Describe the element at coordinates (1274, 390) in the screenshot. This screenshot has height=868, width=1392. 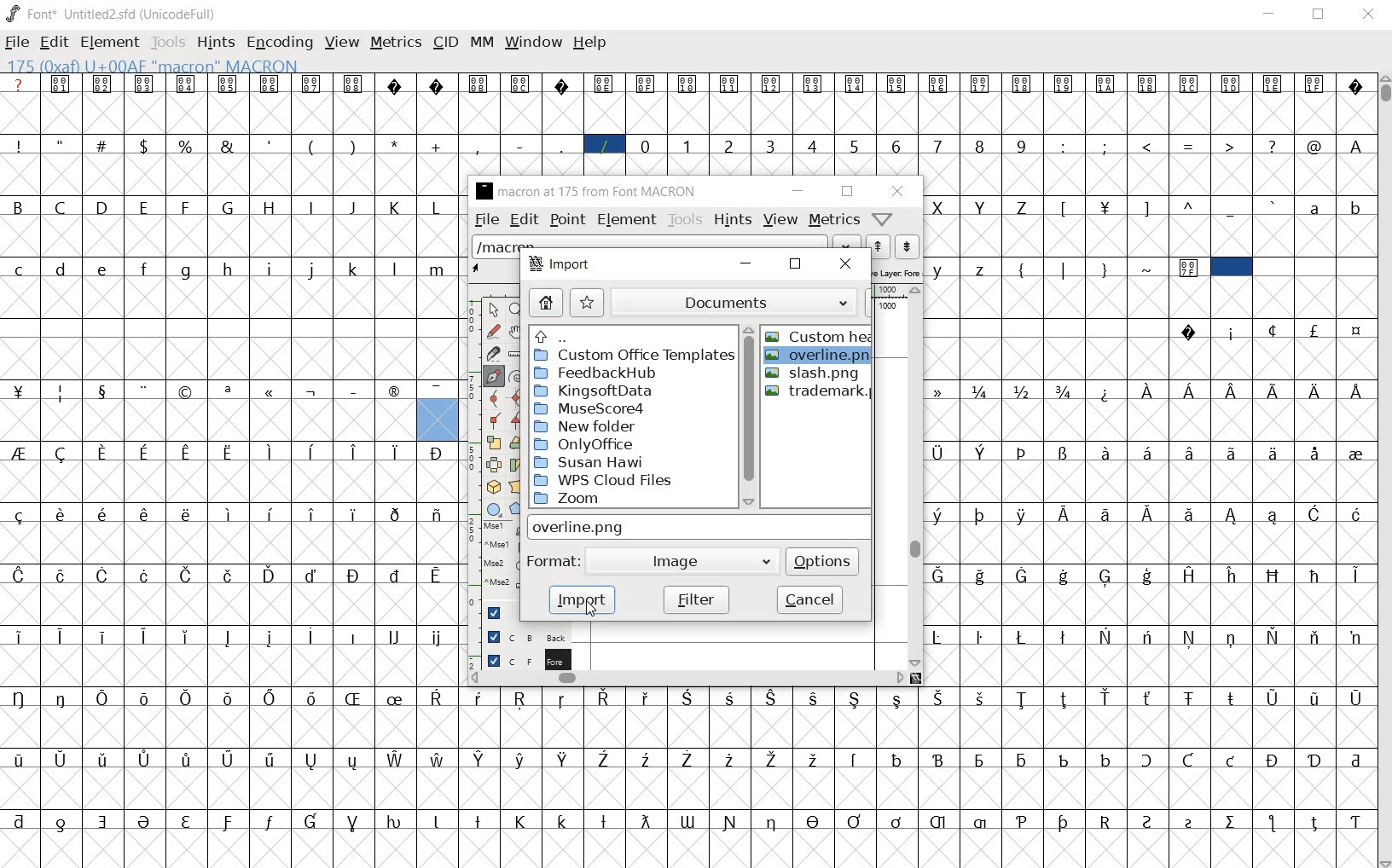
I see `Symbol` at that location.